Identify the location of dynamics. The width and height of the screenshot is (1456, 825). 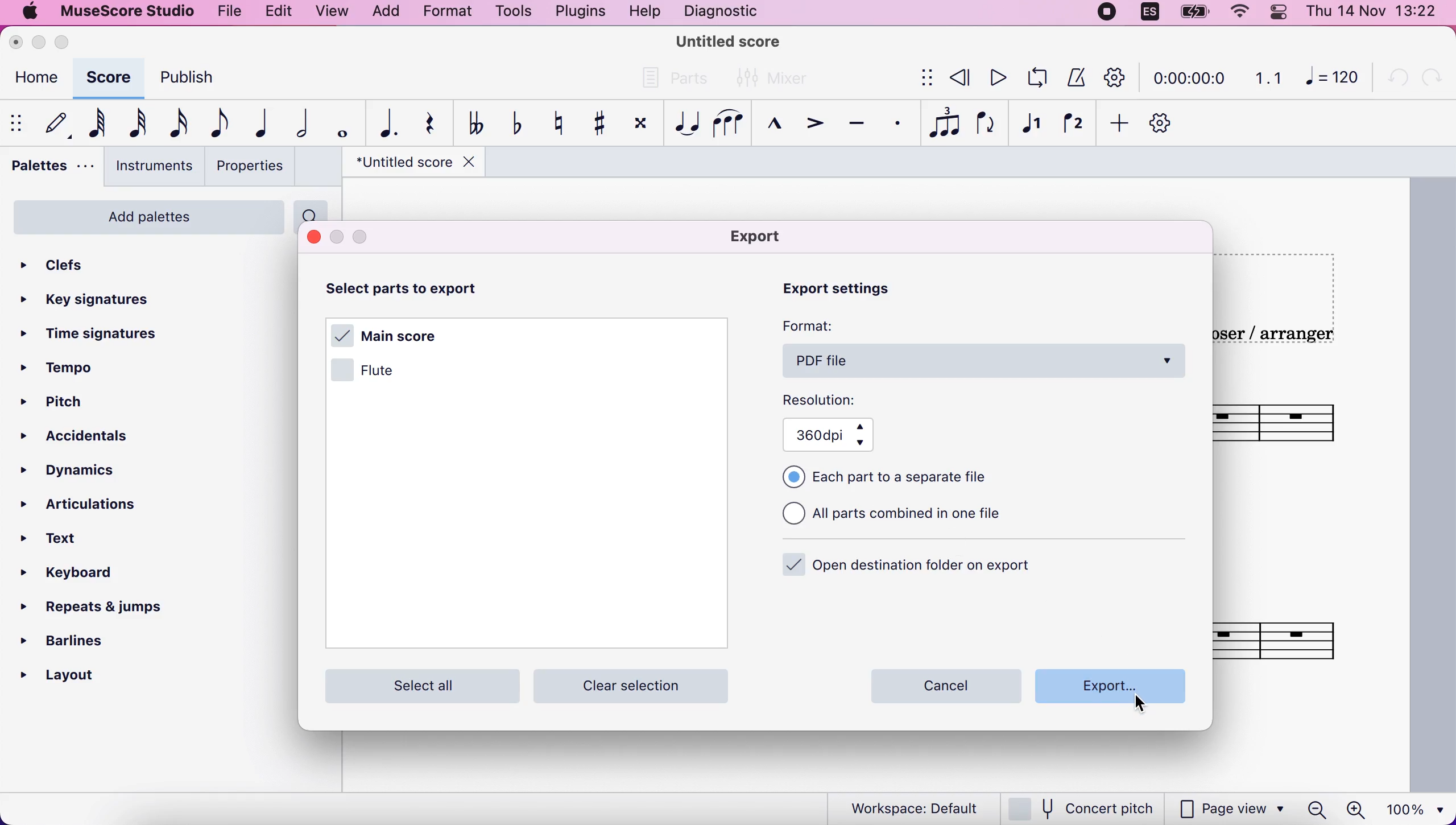
(88, 471).